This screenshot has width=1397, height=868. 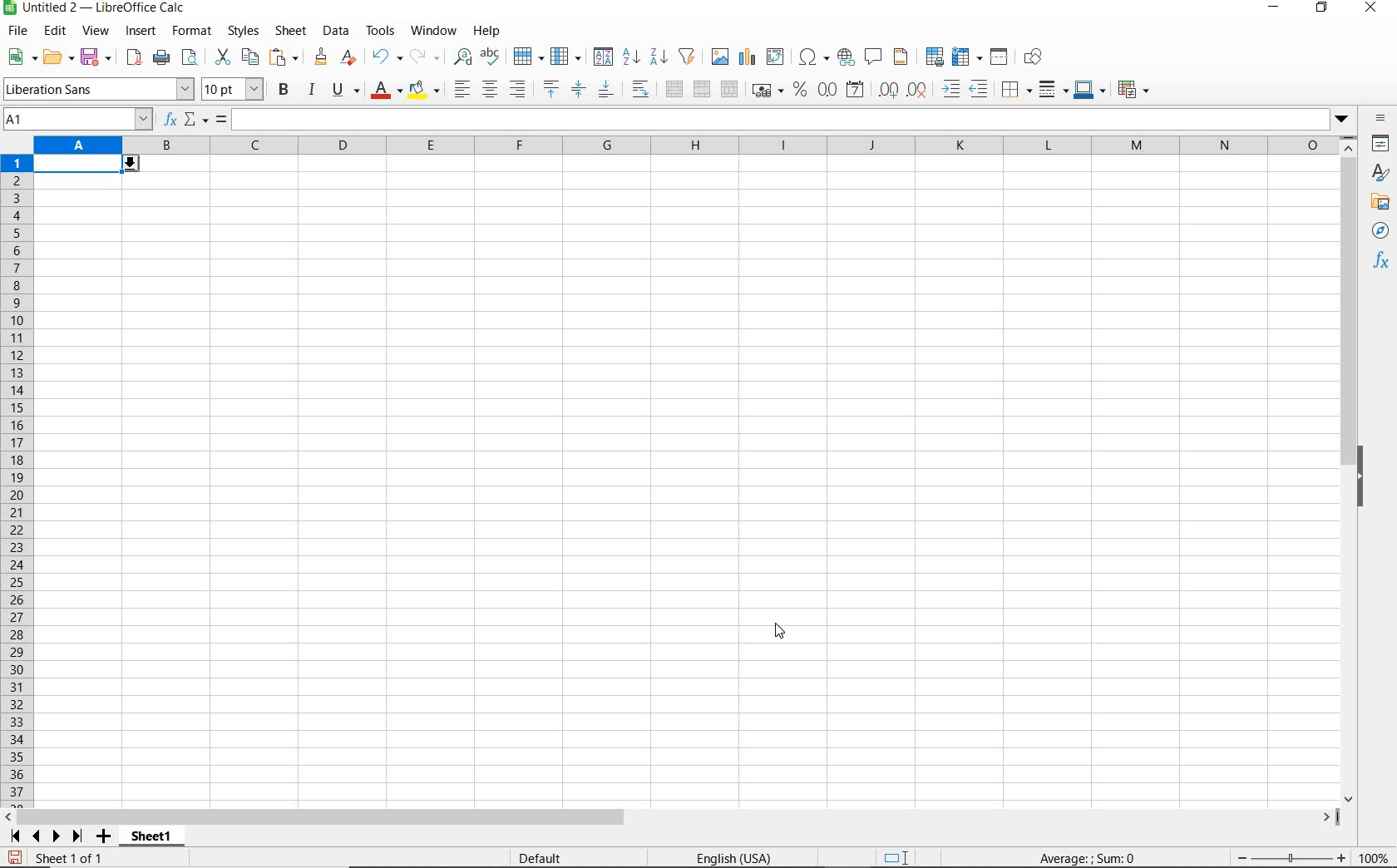 What do you see at coordinates (221, 121) in the screenshot?
I see `formula` at bounding box center [221, 121].